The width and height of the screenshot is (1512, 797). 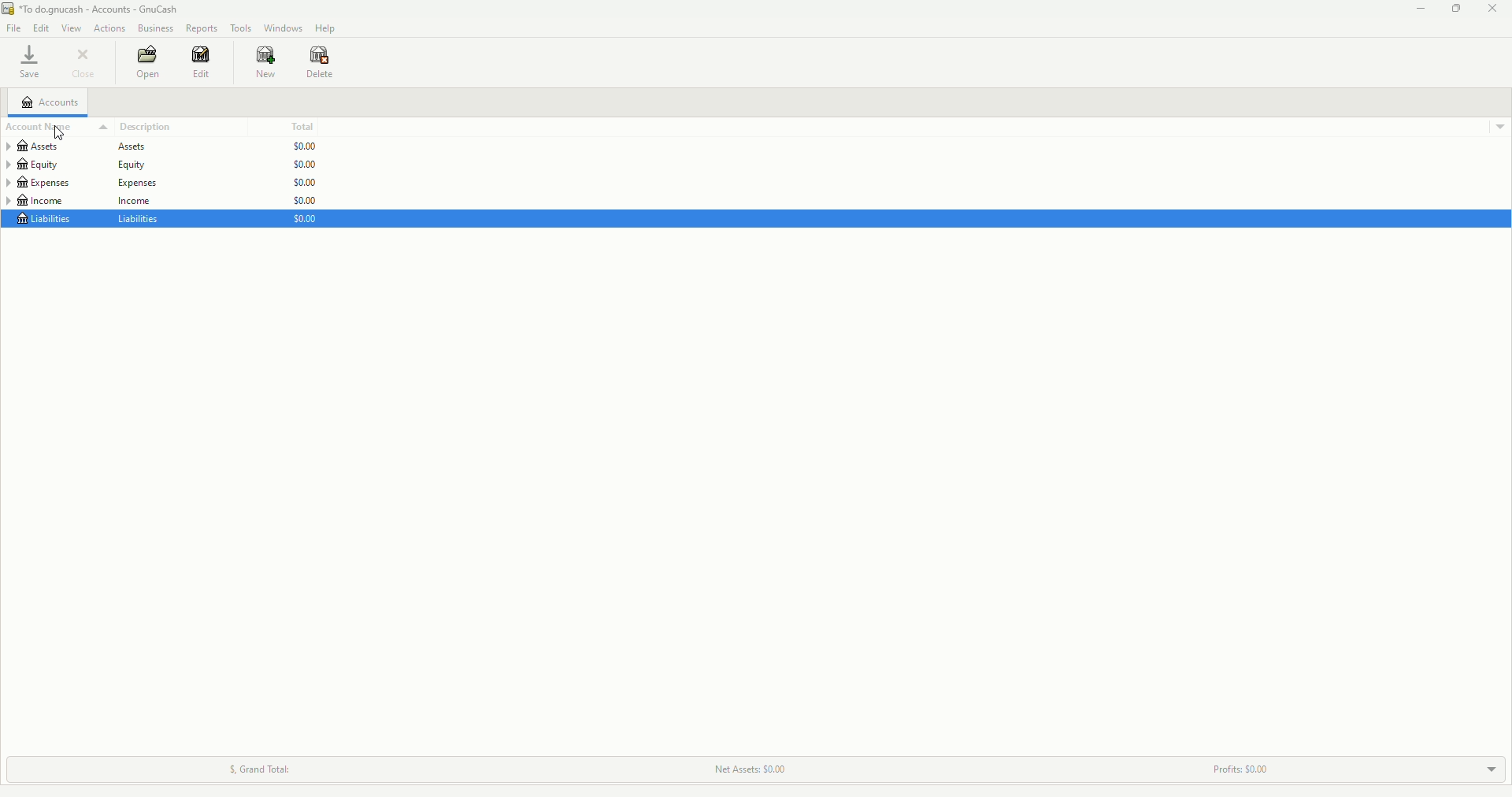 What do you see at coordinates (42, 28) in the screenshot?
I see `Edit` at bounding box center [42, 28].